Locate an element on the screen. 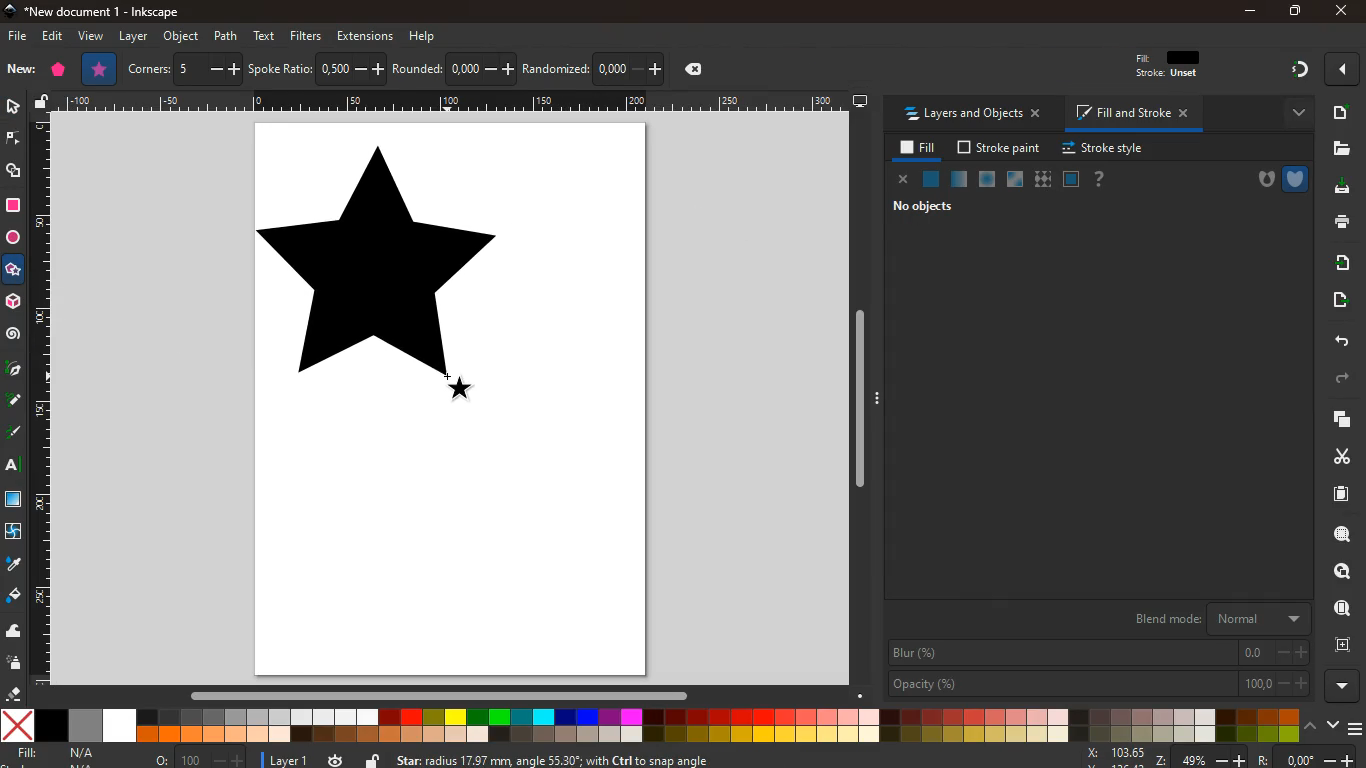  circle is located at coordinates (15, 238).